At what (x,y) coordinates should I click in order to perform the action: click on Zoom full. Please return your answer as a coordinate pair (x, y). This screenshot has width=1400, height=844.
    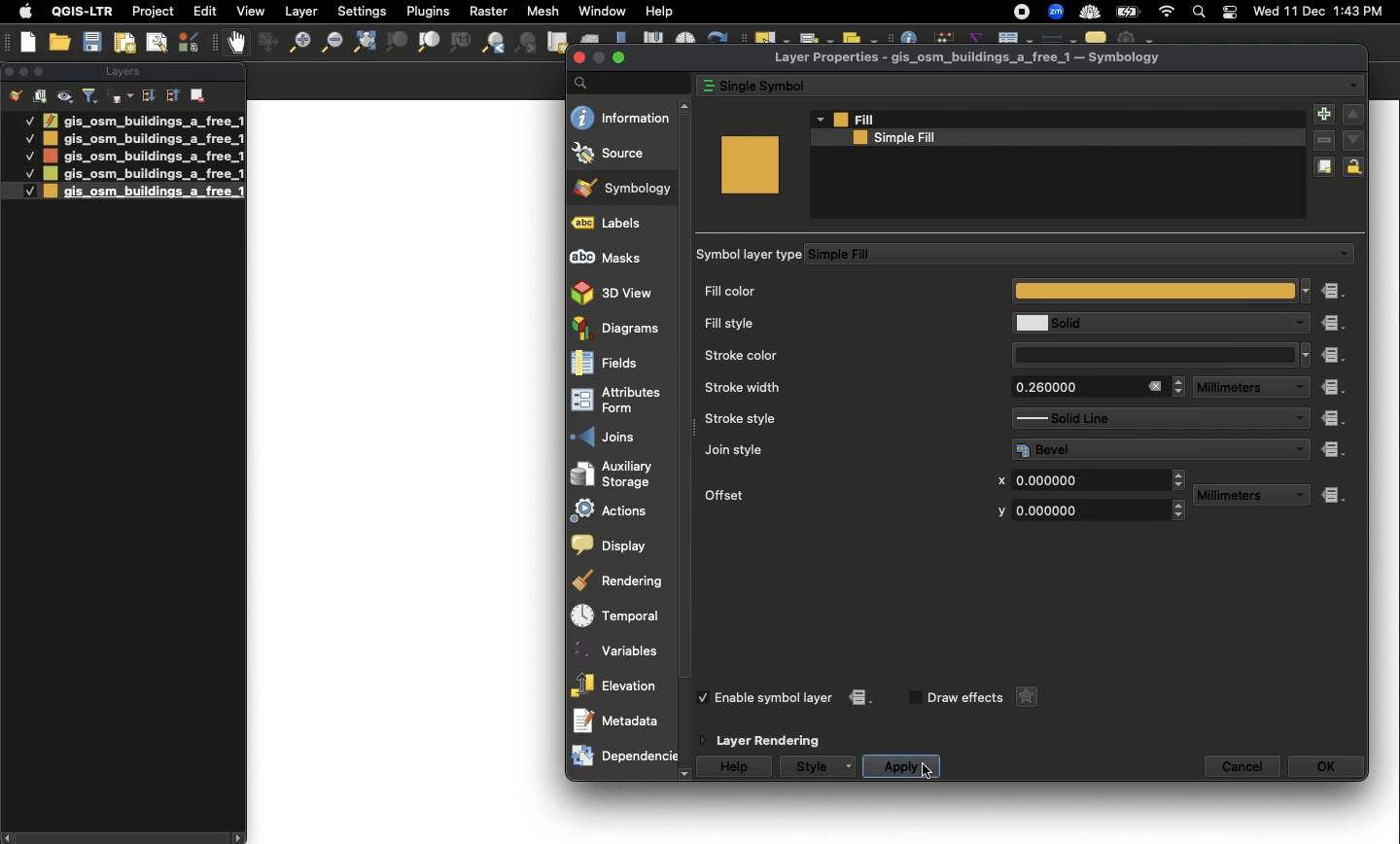
    Looking at the image, I should click on (363, 43).